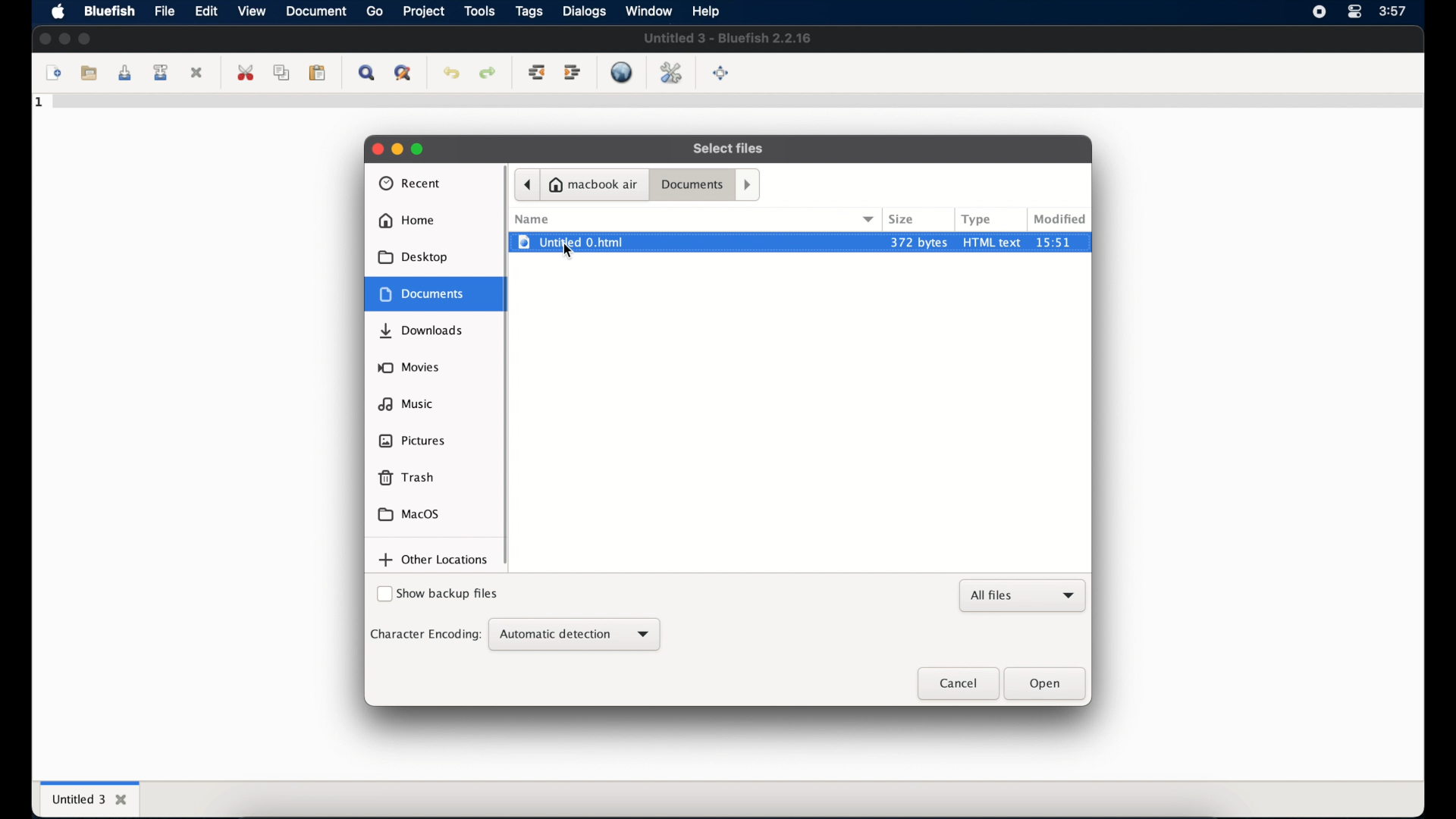  Describe the element at coordinates (1395, 10) in the screenshot. I see `3:57` at that location.